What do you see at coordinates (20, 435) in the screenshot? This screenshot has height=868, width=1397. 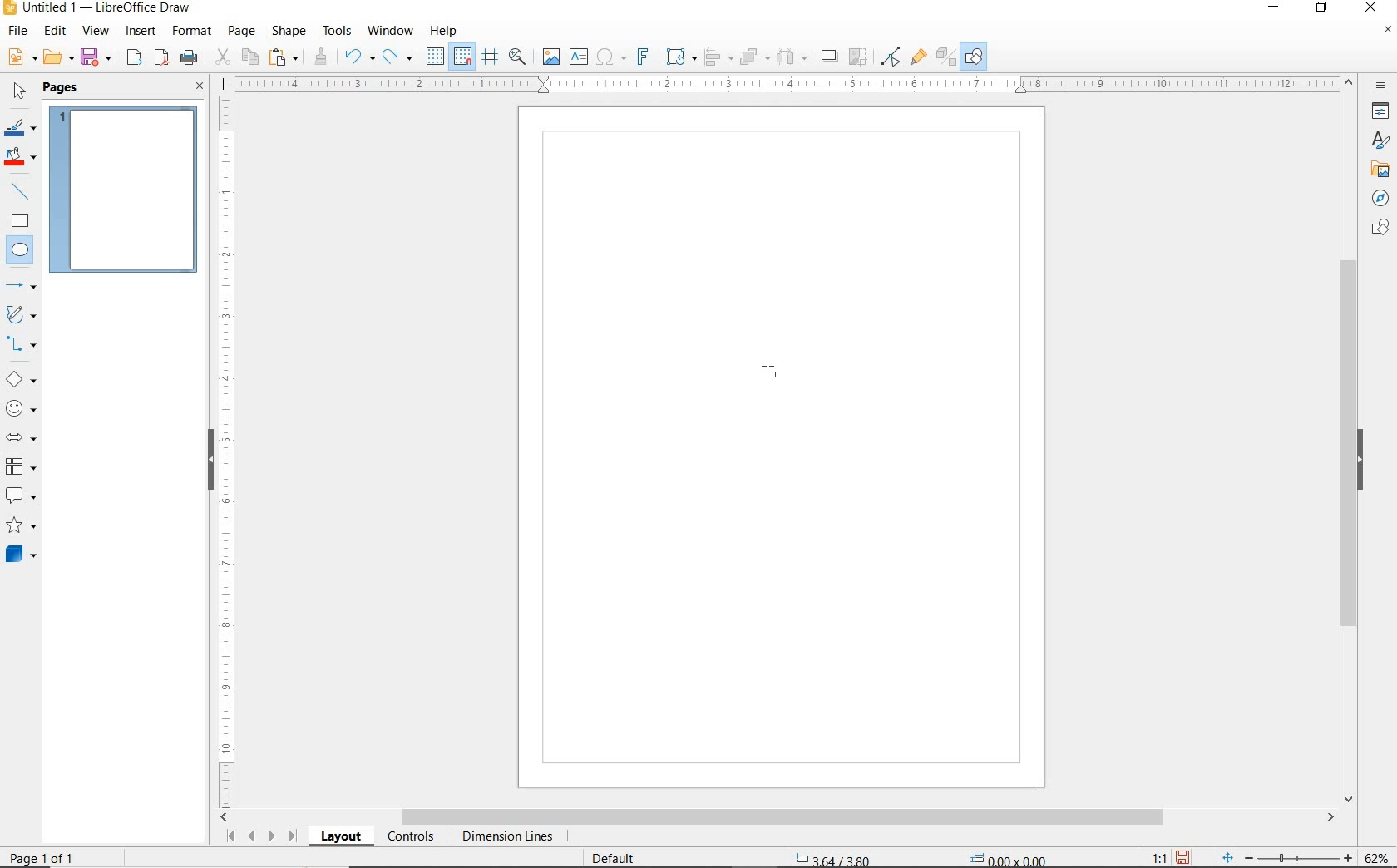 I see `BLOCK ARROWS` at bounding box center [20, 435].